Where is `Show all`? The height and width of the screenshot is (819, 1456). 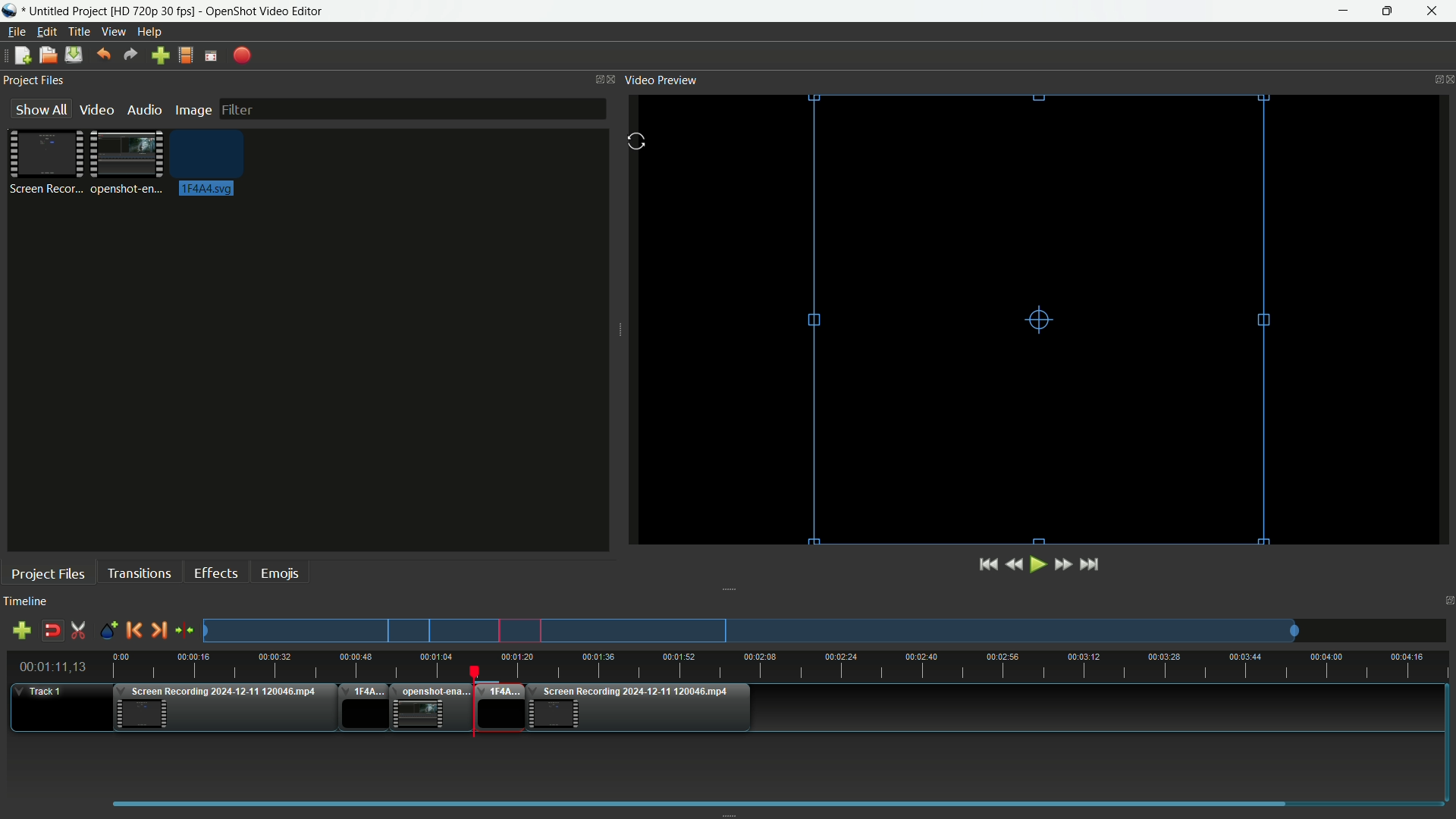 Show all is located at coordinates (36, 109).